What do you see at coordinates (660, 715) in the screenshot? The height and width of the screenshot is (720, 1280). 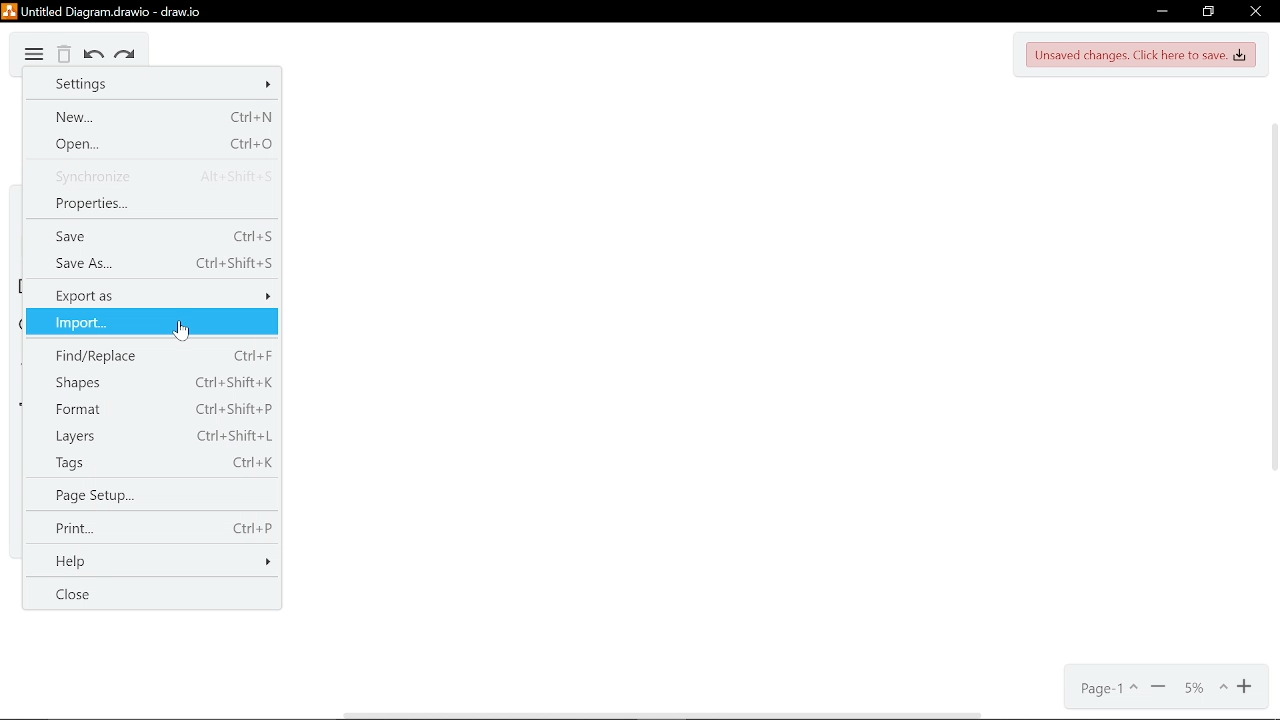 I see `horizontal scrollbar` at bounding box center [660, 715].